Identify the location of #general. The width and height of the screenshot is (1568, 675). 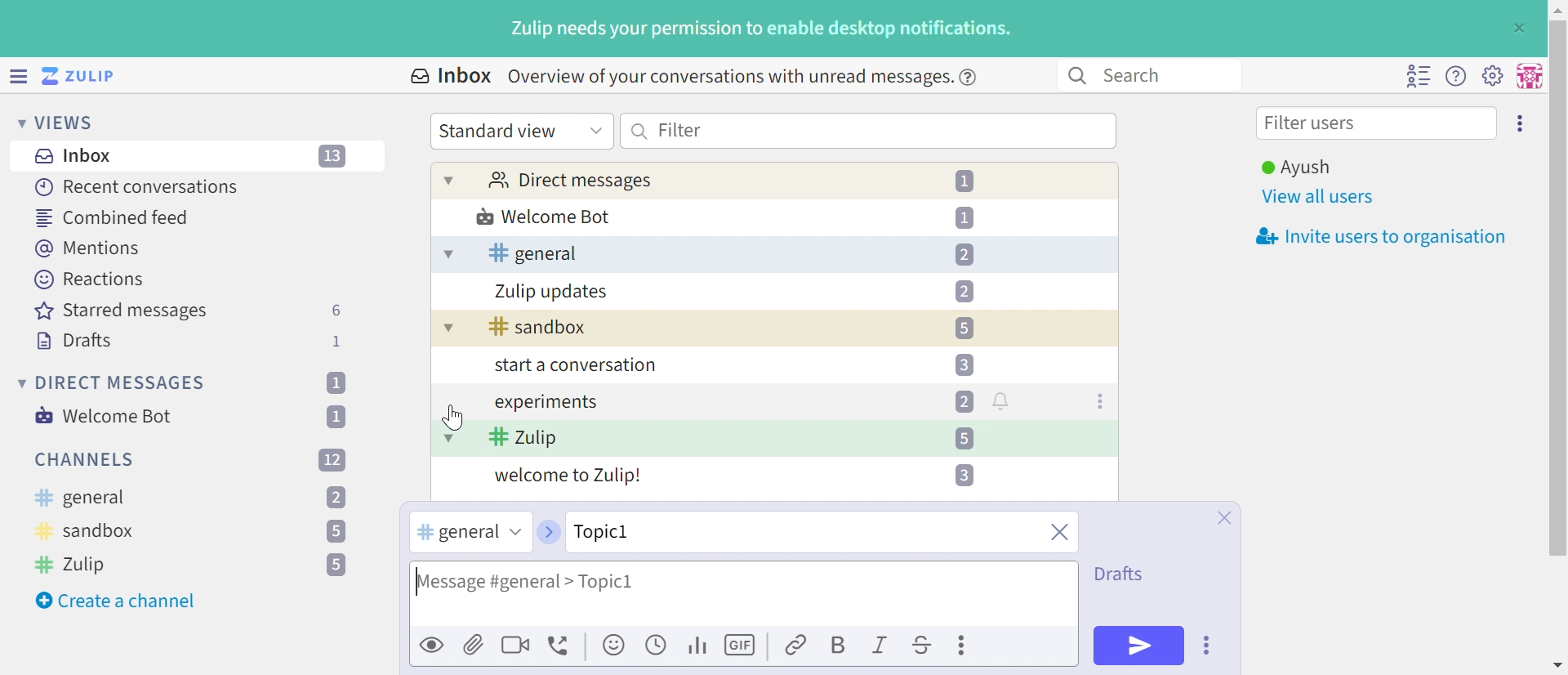
(455, 533).